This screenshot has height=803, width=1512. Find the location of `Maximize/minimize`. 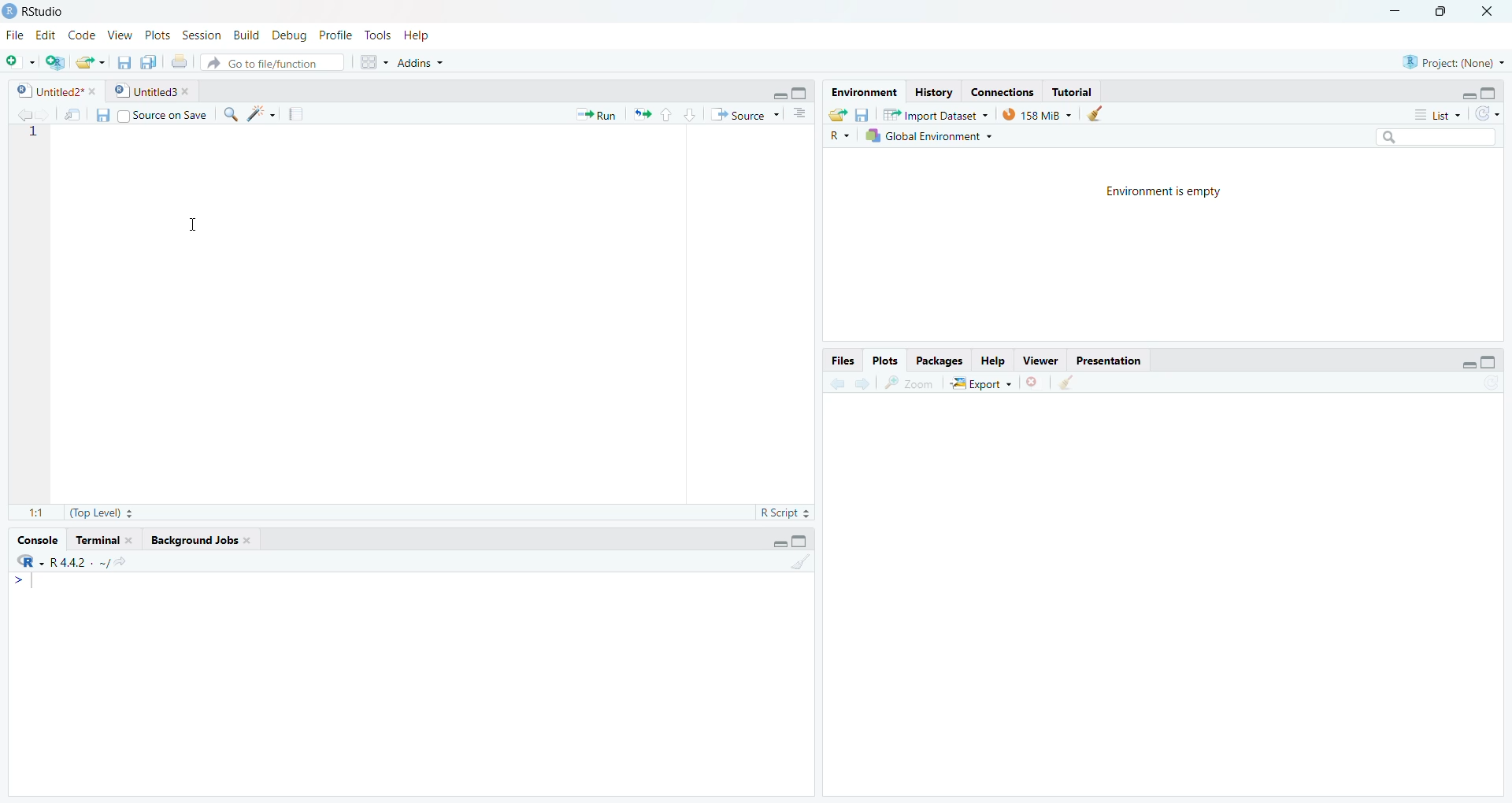

Maximize/minimize is located at coordinates (784, 90).